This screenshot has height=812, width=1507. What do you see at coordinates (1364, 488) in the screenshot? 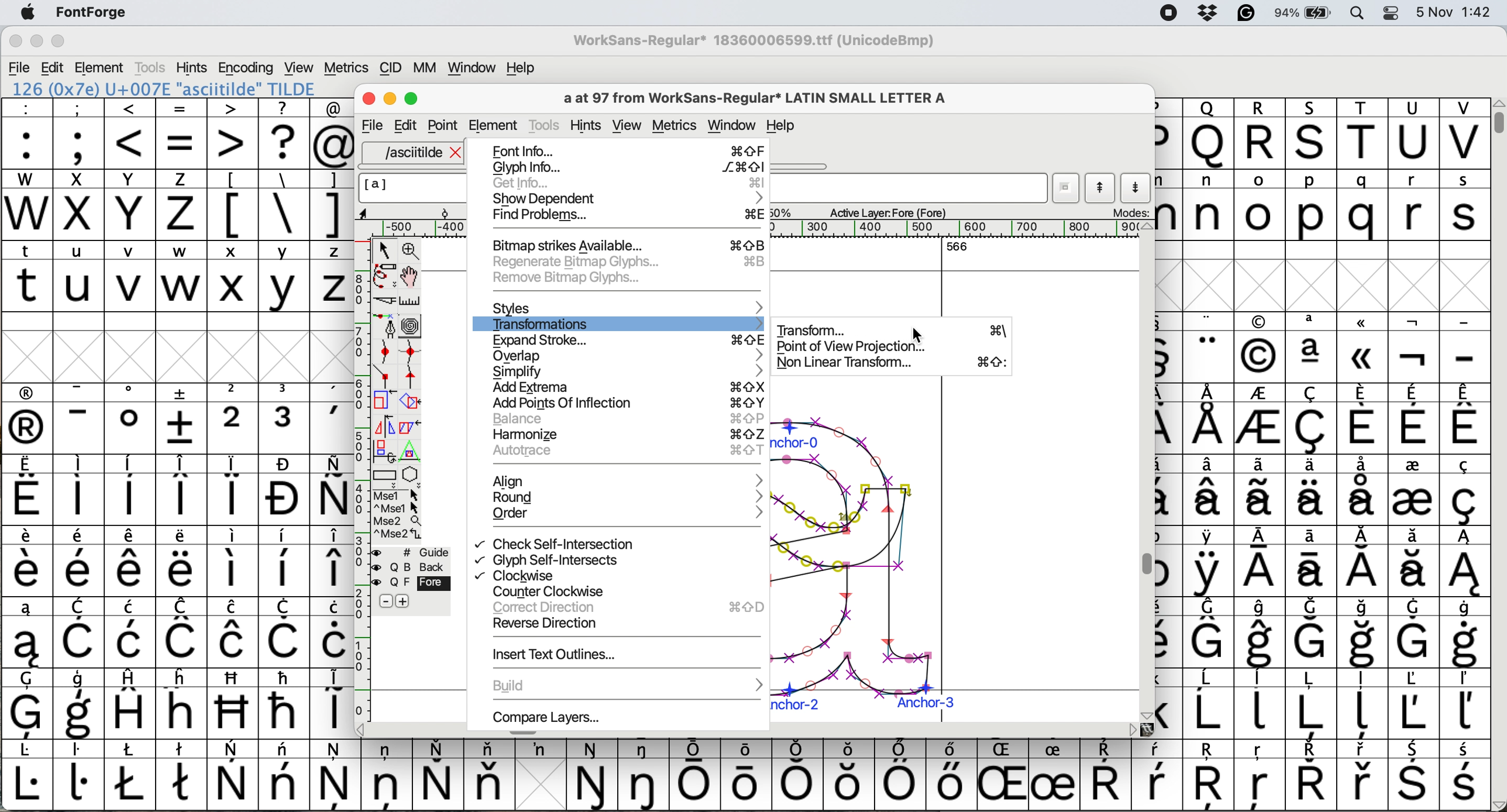
I see `symbol` at bounding box center [1364, 488].